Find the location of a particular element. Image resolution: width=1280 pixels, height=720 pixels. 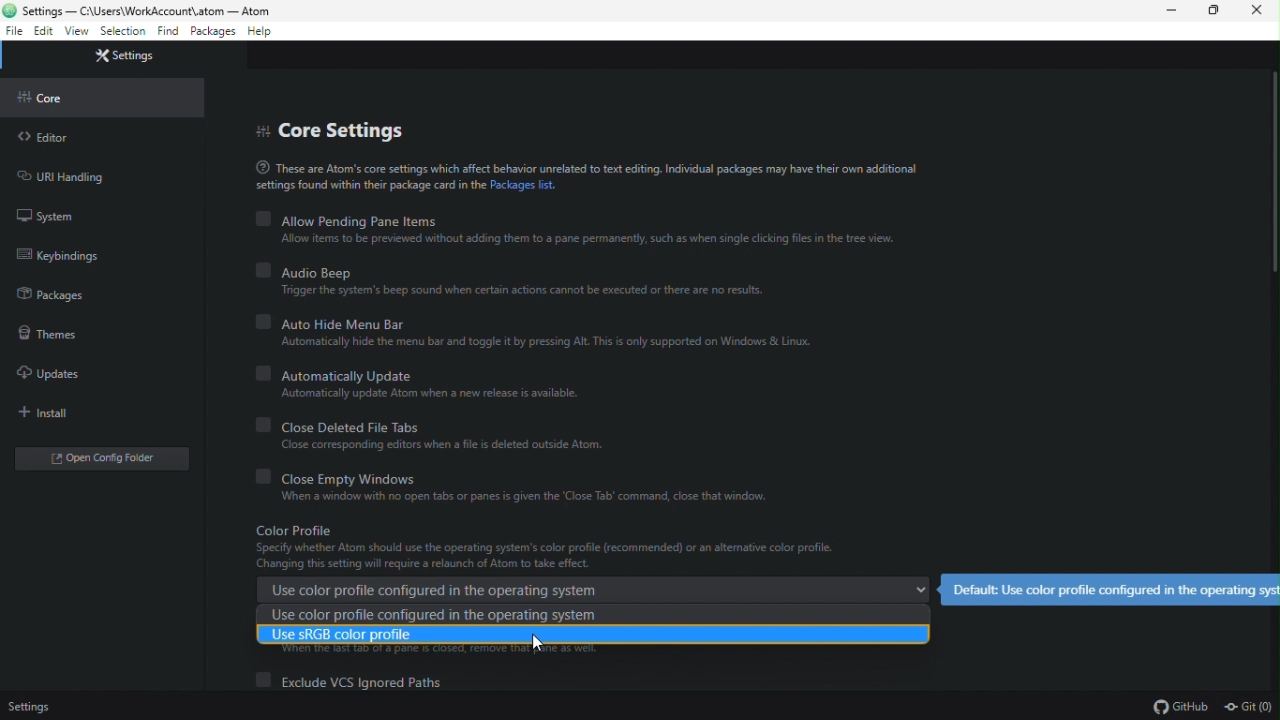

URL handling is located at coordinates (69, 177).